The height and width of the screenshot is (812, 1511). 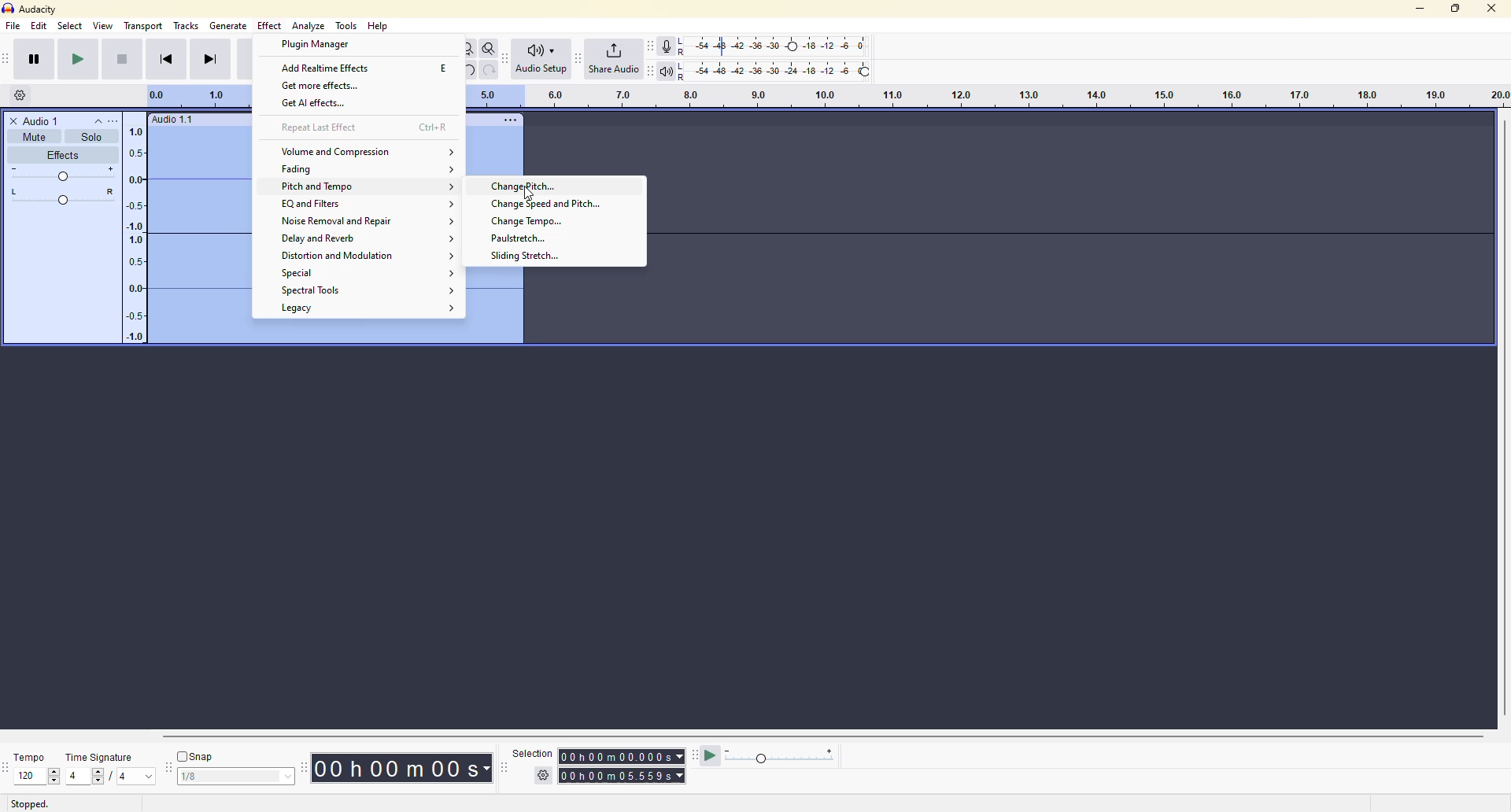 I want to click on share audio, so click(x=614, y=58).